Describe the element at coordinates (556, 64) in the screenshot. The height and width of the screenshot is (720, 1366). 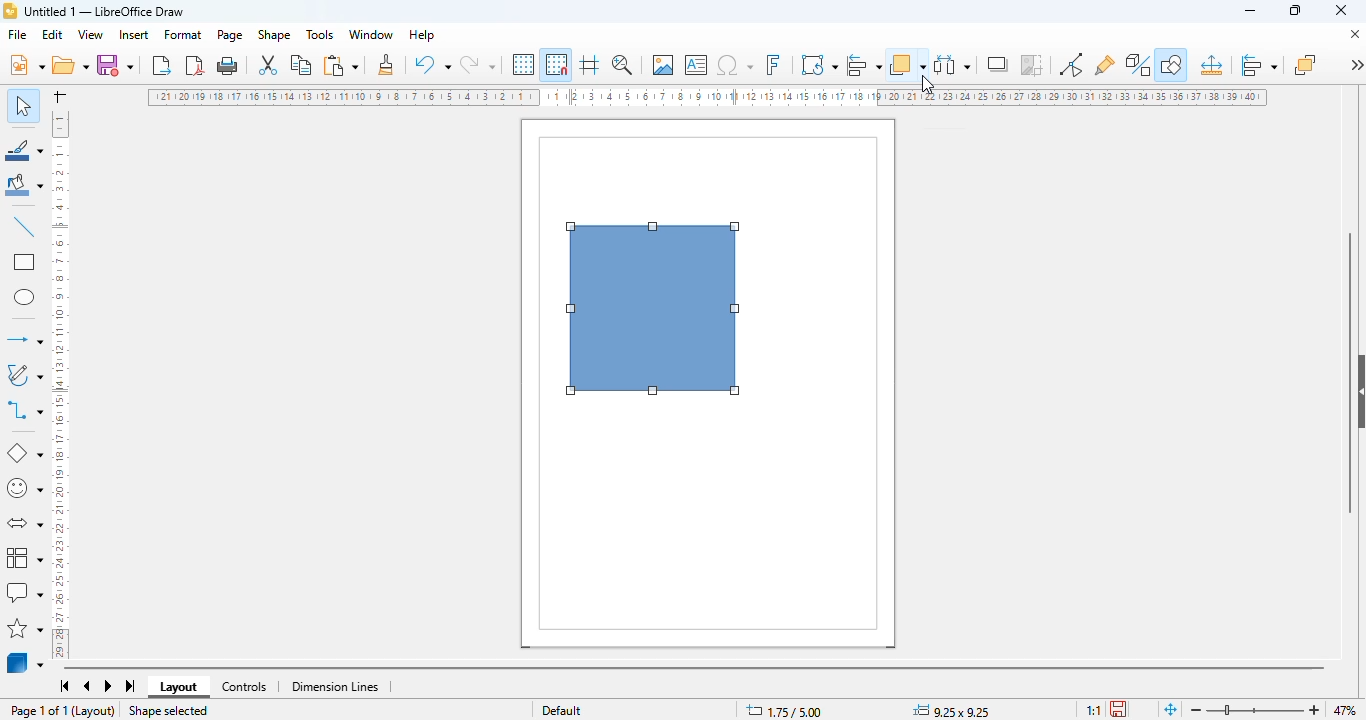
I see `snap to grid` at that location.